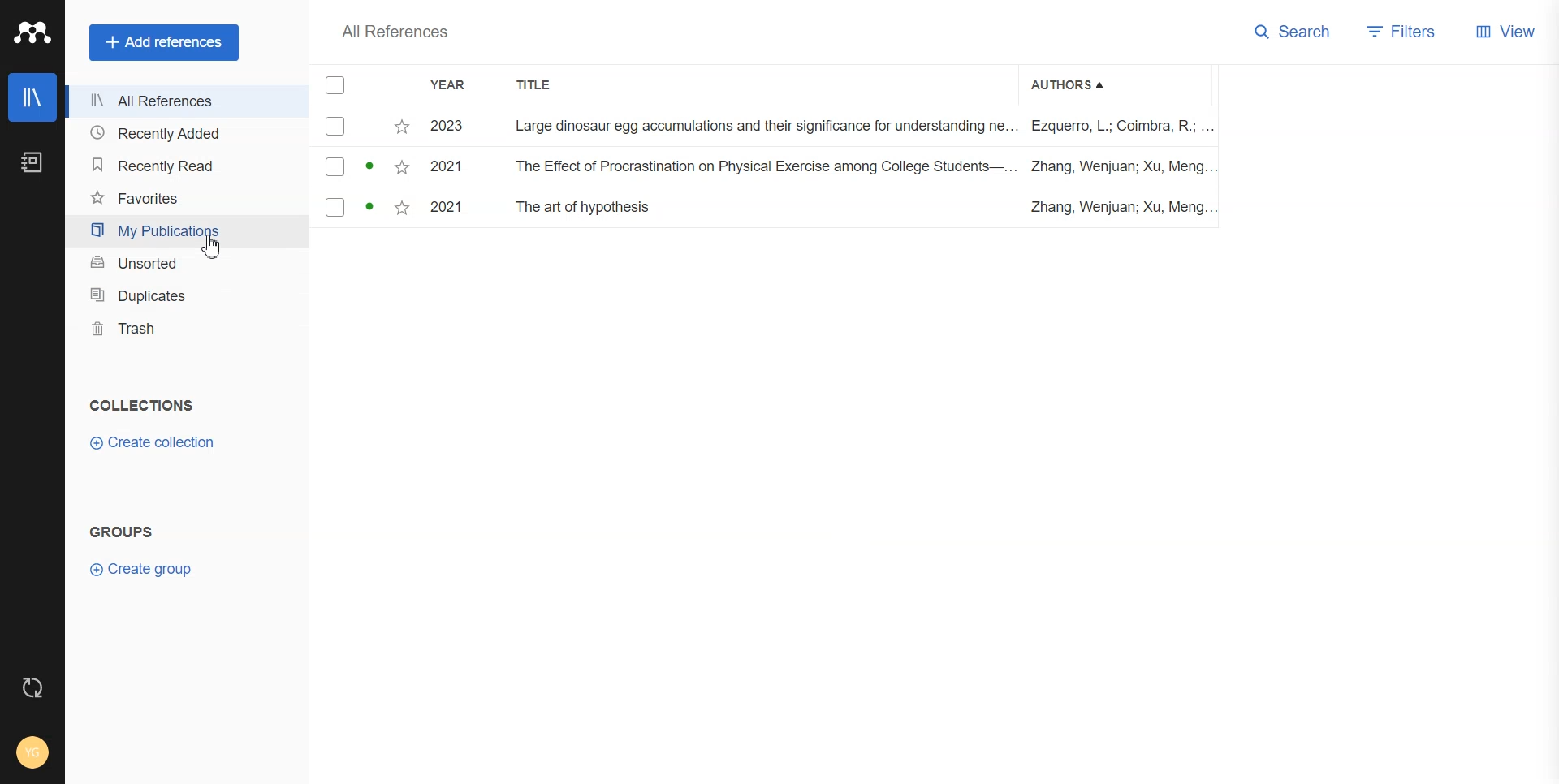  Describe the element at coordinates (404, 125) in the screenshot. I see `Favorites` at that location.